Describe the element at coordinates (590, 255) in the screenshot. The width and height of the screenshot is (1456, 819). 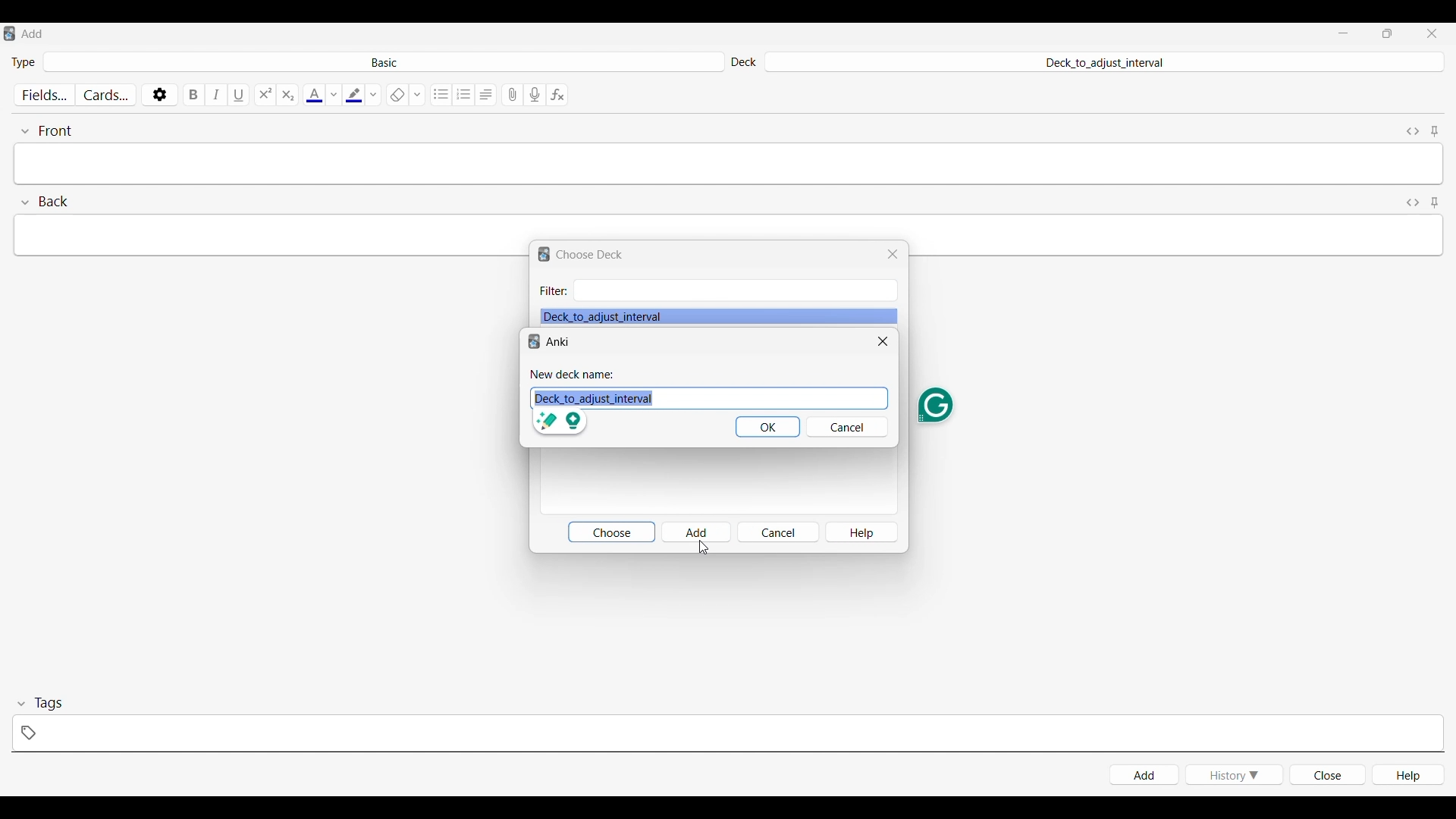
I see `Window name` at that location.